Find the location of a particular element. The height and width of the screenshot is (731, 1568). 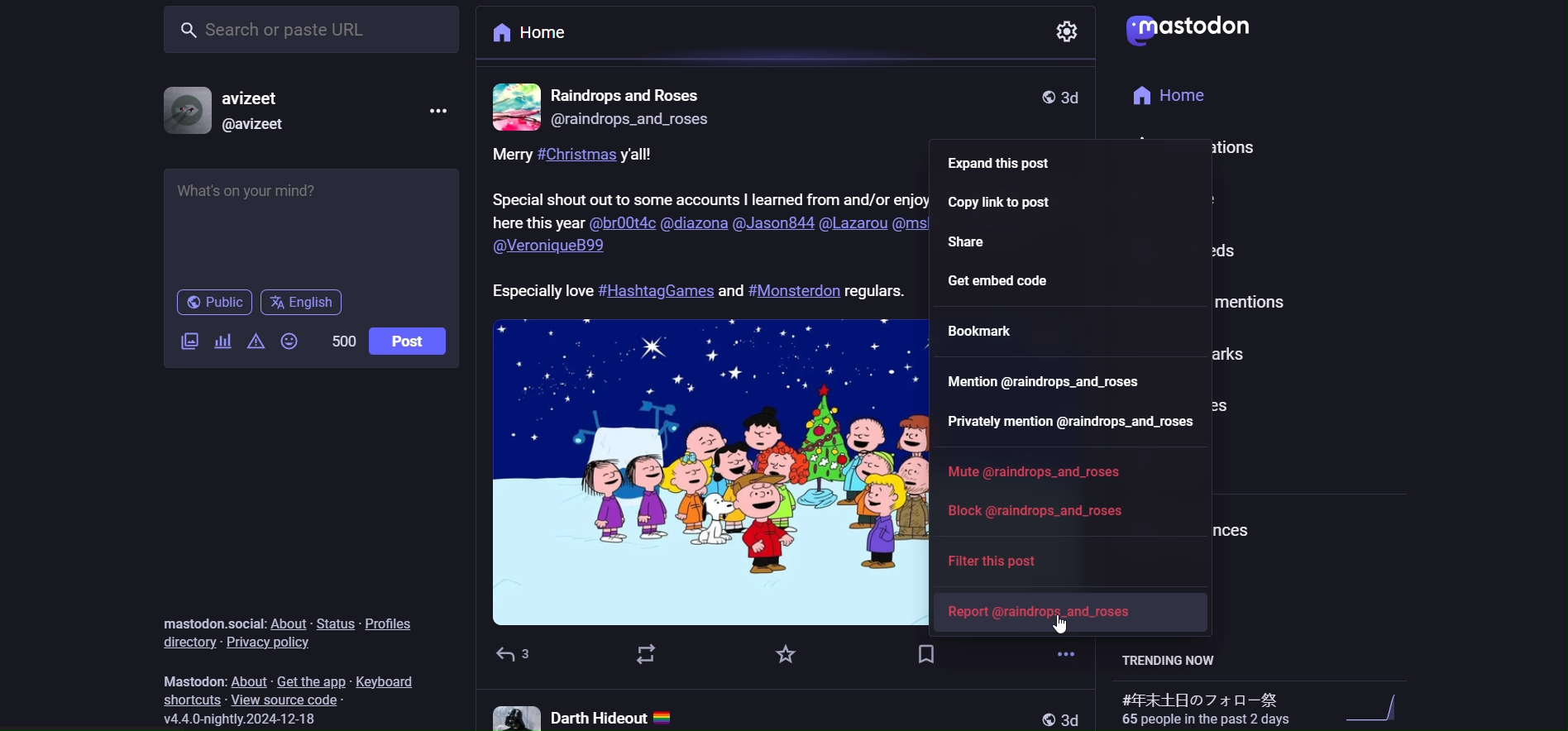

private mention is located at coordinates (1067, 423).